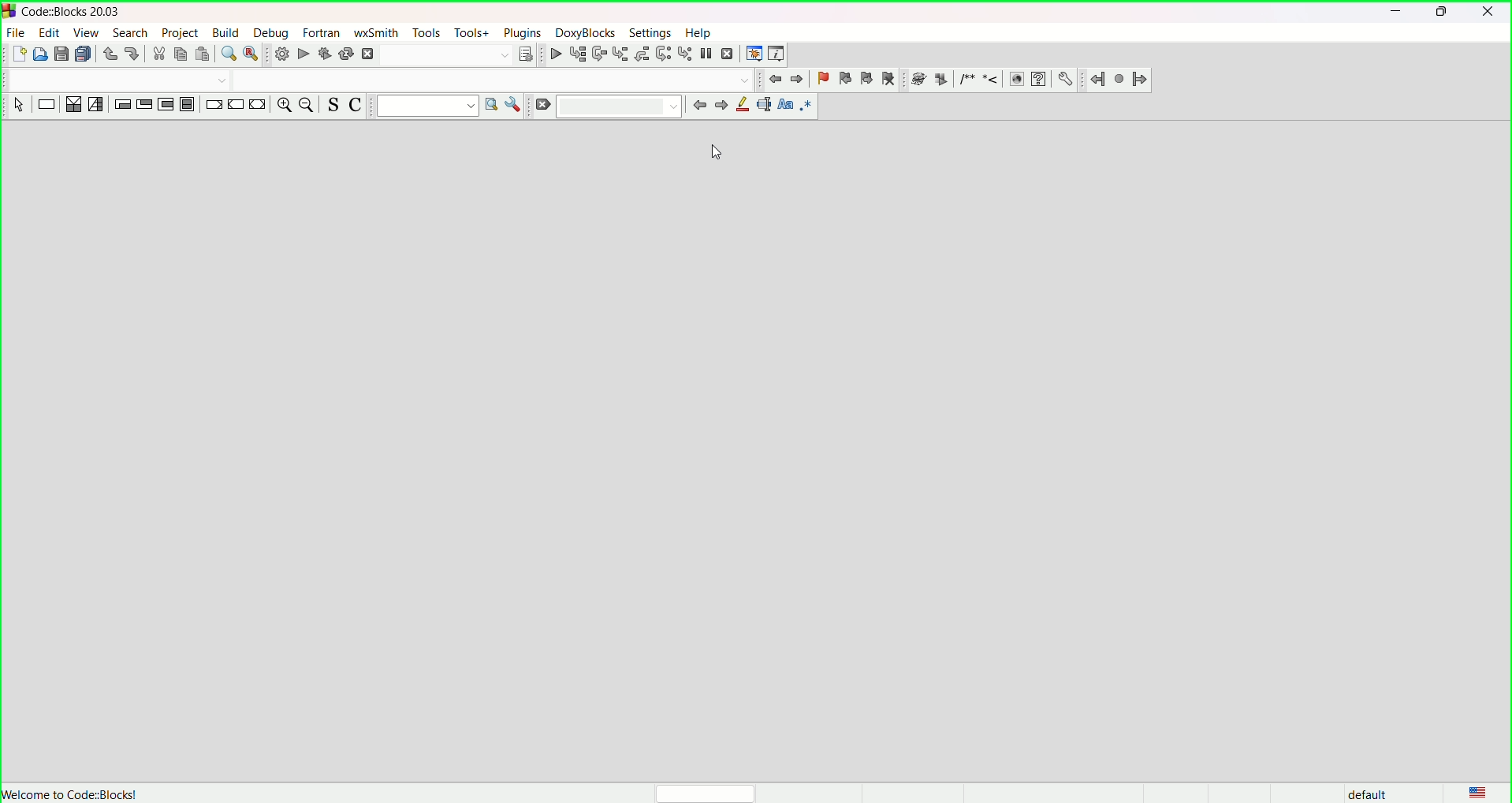 This screenshot has height=803, width=1512. I want to click on selected text, so click(765, 104).